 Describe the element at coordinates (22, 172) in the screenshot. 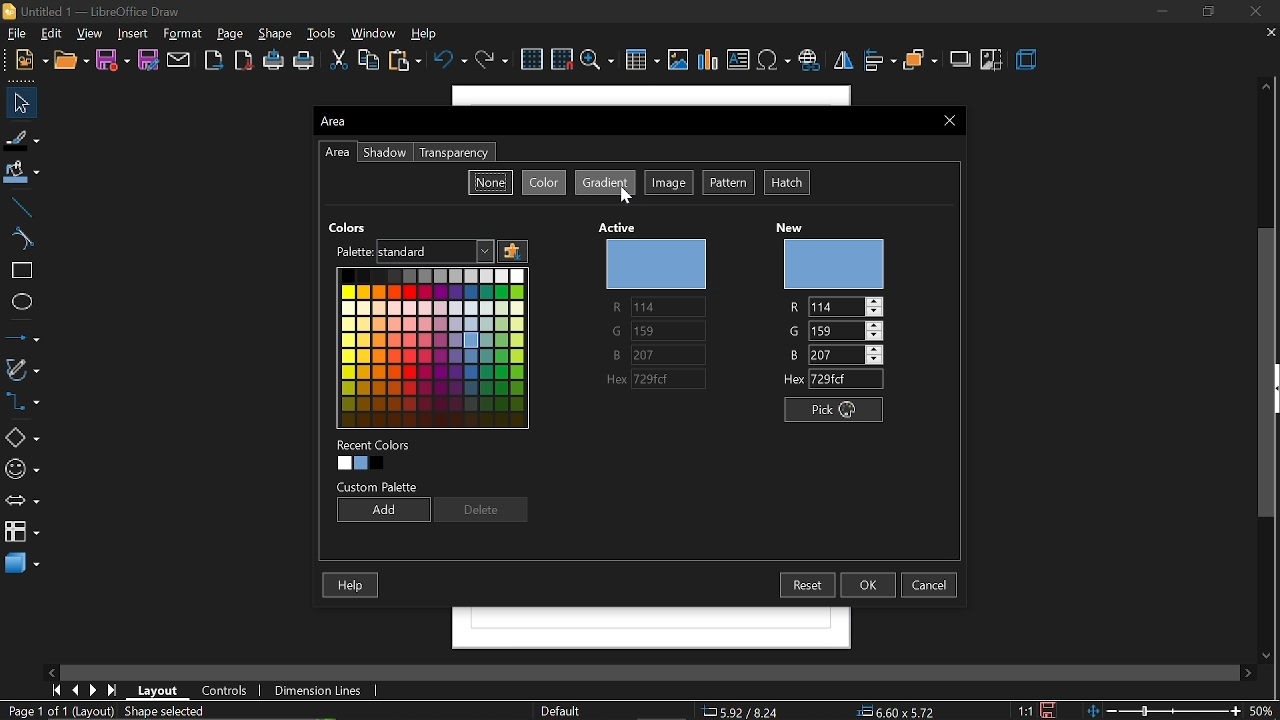

I see `fill color` at that location.